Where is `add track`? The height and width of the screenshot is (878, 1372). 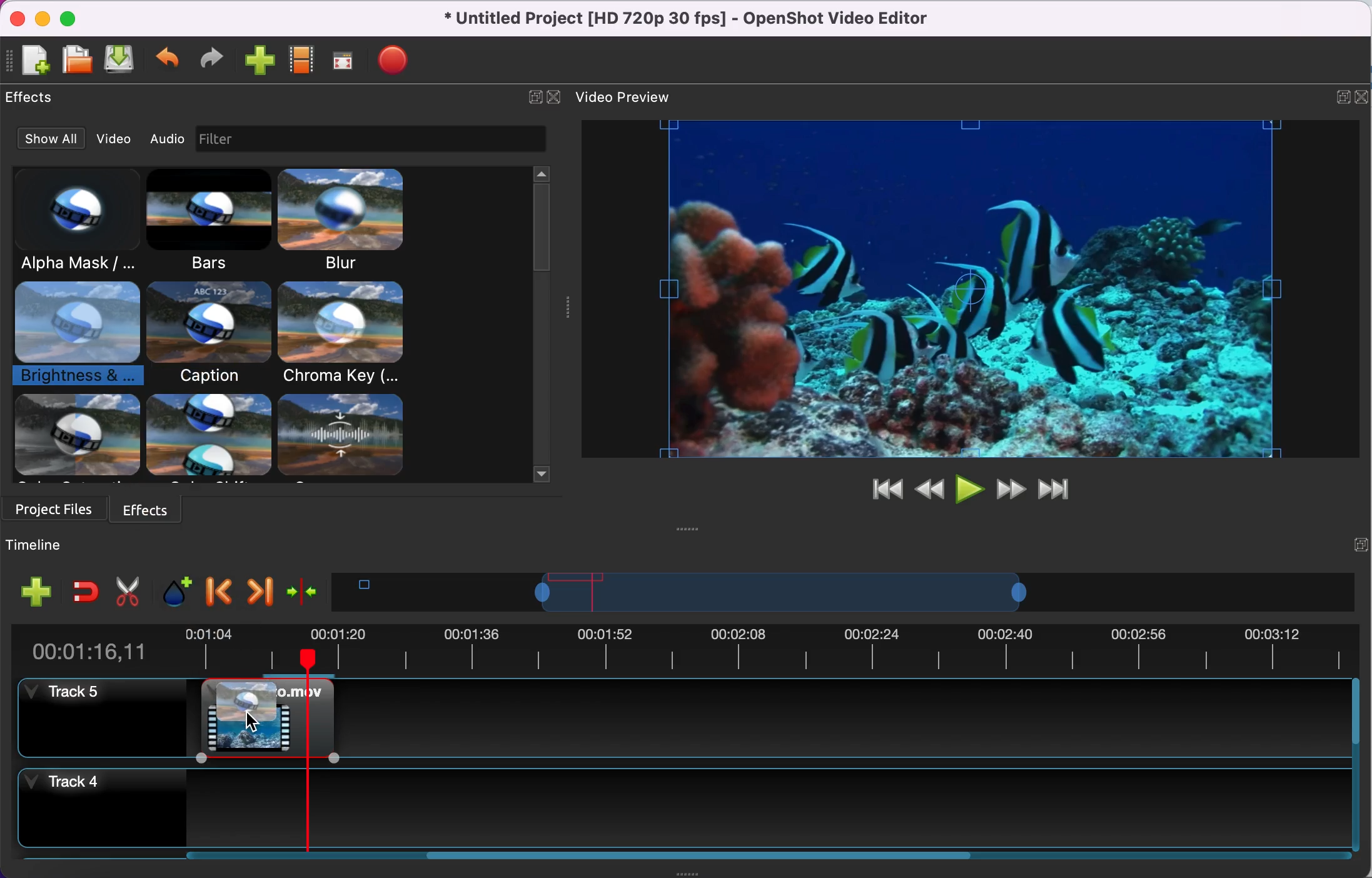 add track is located at coordinates (33, 595).